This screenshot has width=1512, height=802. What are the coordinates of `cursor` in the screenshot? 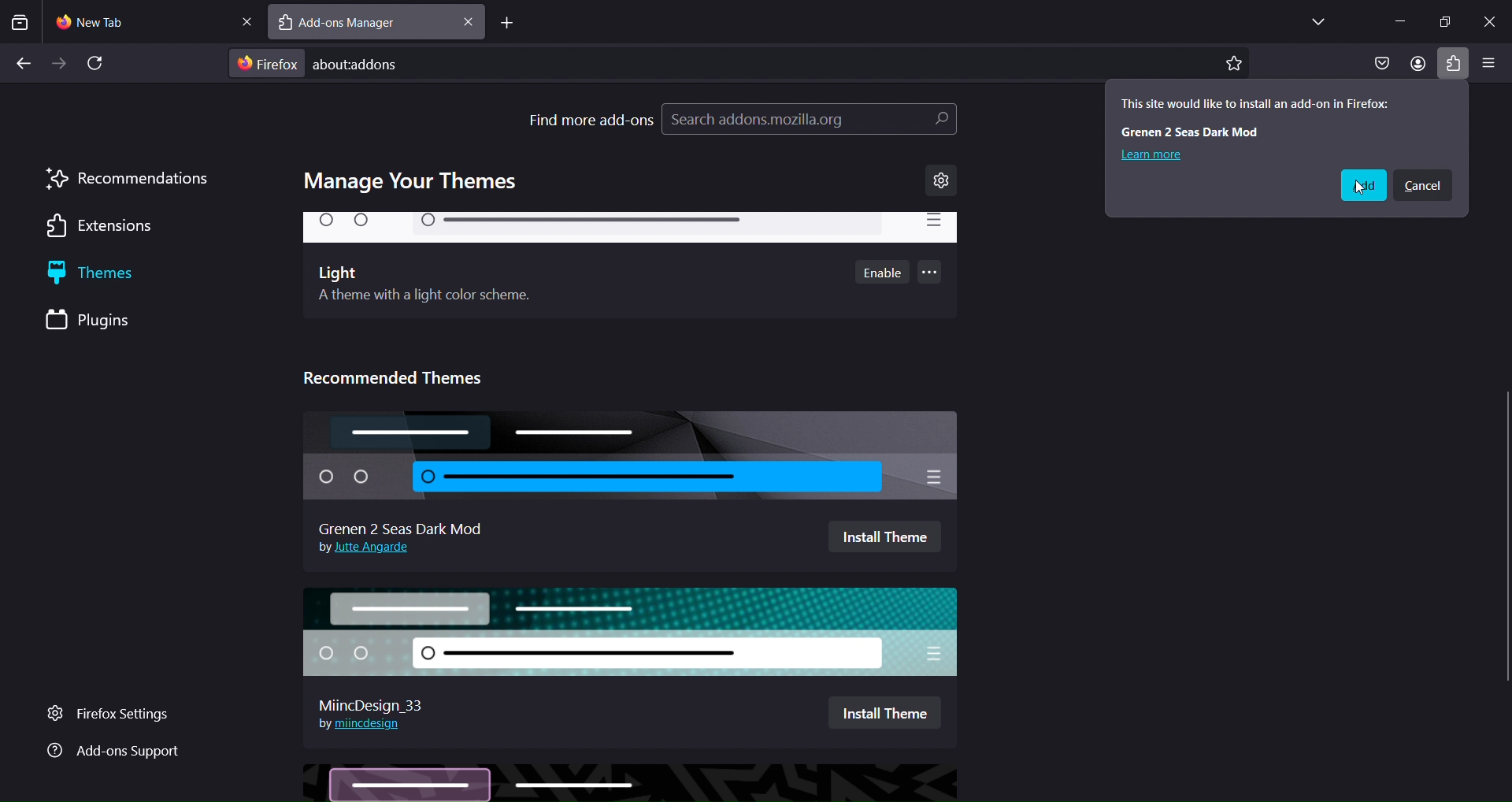 It's located at (1362, 189).